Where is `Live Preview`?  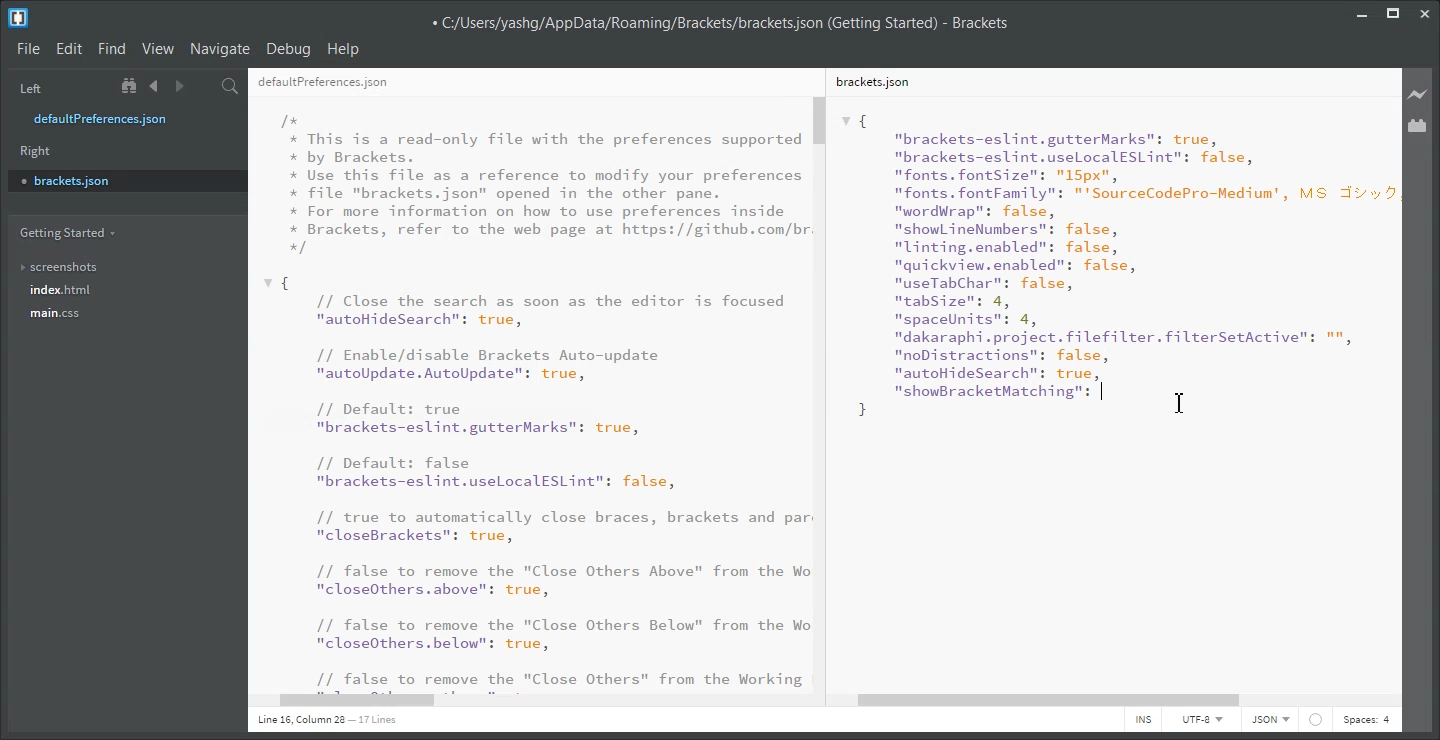
Live Preview is located at coordinates (1418, 93).